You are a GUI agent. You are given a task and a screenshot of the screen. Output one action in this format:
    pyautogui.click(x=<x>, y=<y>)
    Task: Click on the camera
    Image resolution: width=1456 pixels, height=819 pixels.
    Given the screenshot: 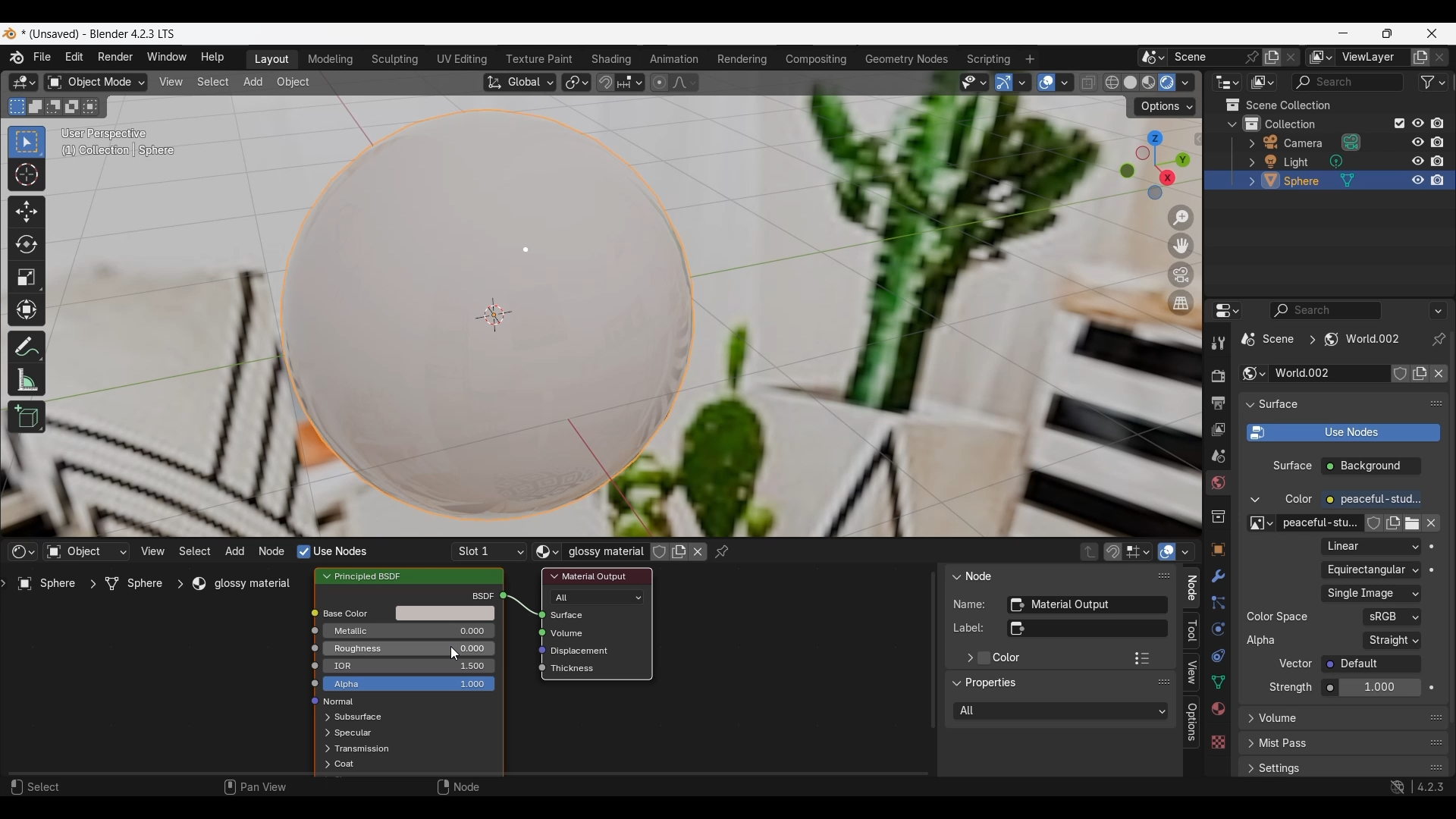 What is the action you would take?
    pyautogui.click(x=1305, y=143)
    